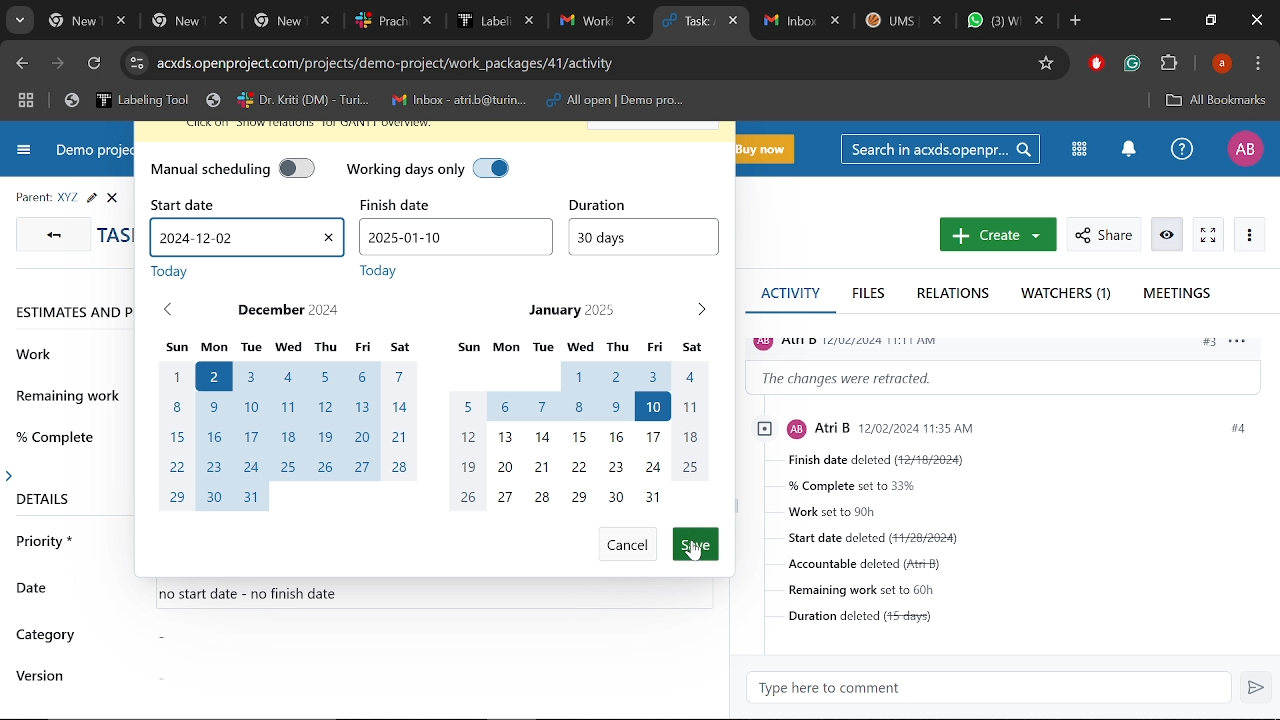  I want to click on Previous month, so click(170, 310).